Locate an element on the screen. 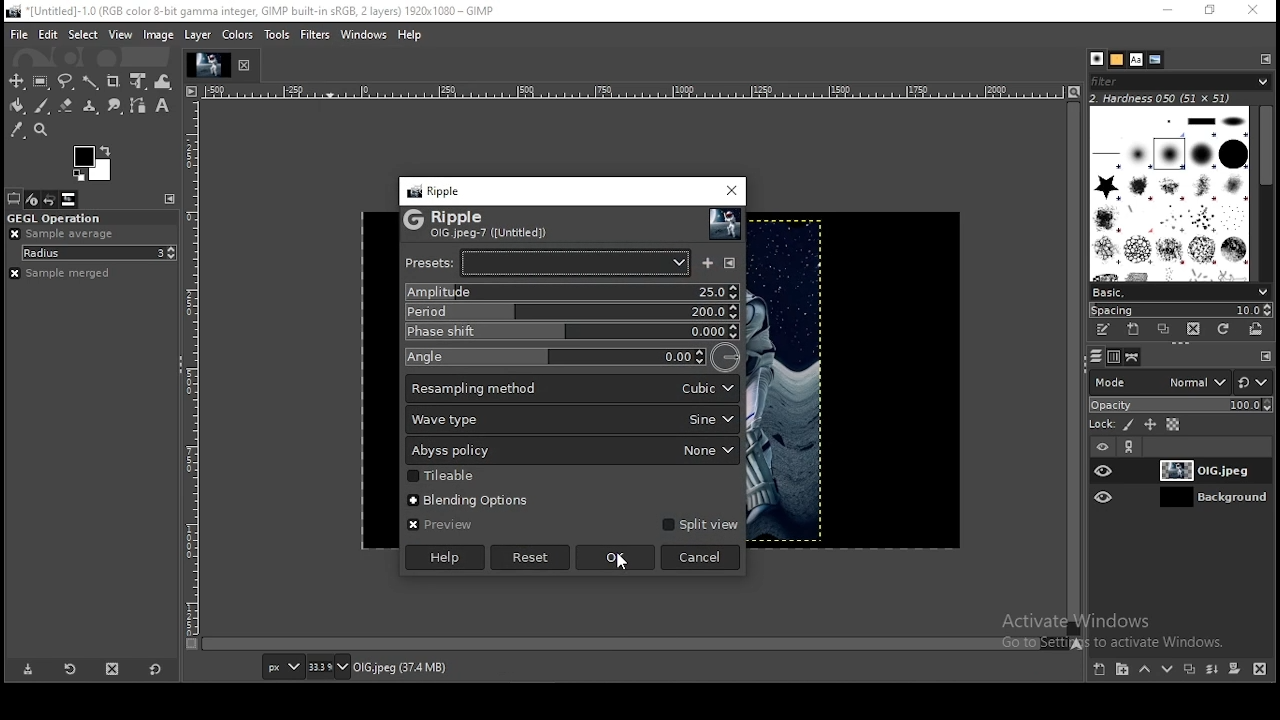 The height and width of the screenshot is (720, 1280). layers is located at coordinates (1096, 357).